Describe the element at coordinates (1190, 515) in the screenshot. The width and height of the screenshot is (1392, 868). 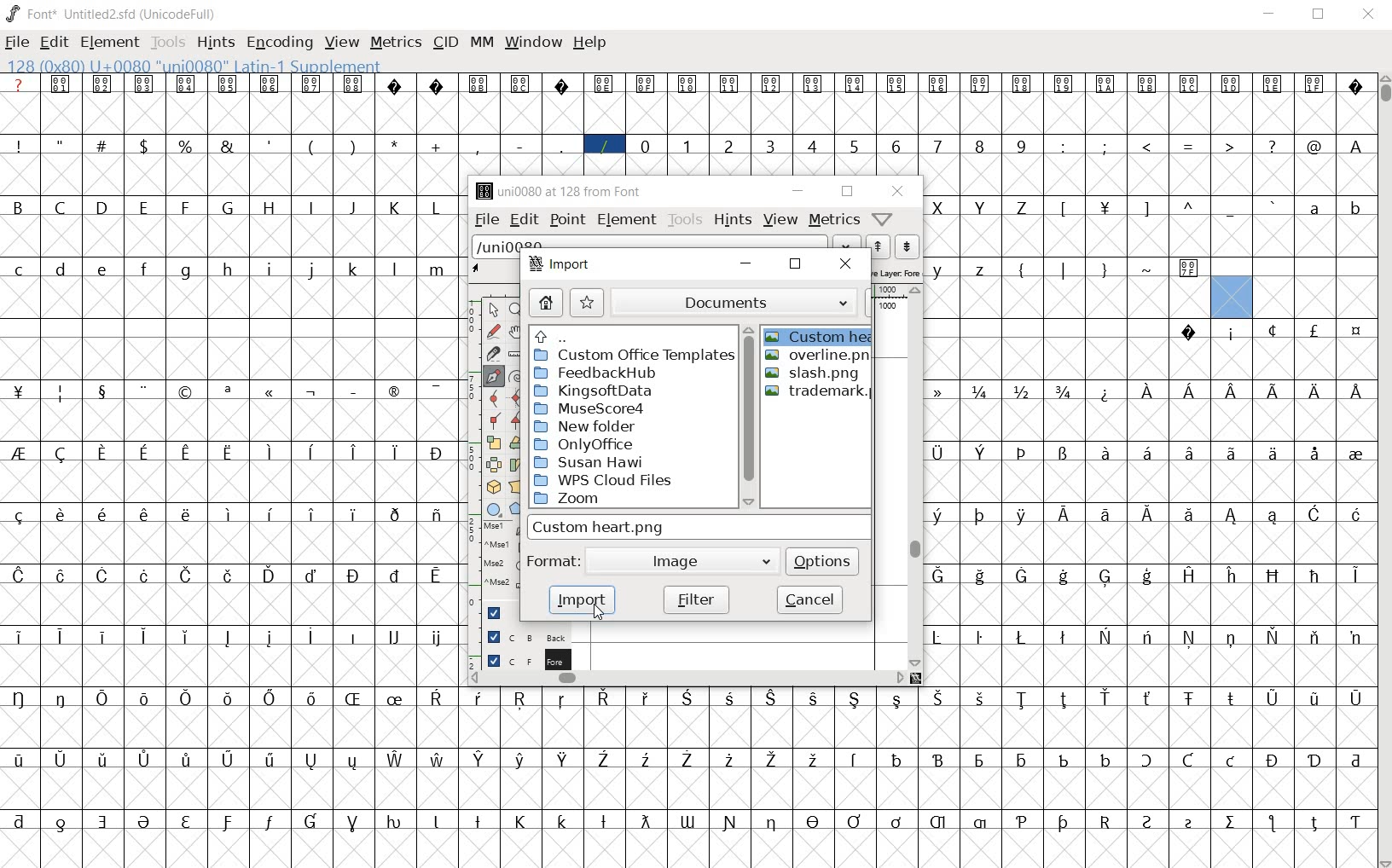
I see `glyph` at that location.